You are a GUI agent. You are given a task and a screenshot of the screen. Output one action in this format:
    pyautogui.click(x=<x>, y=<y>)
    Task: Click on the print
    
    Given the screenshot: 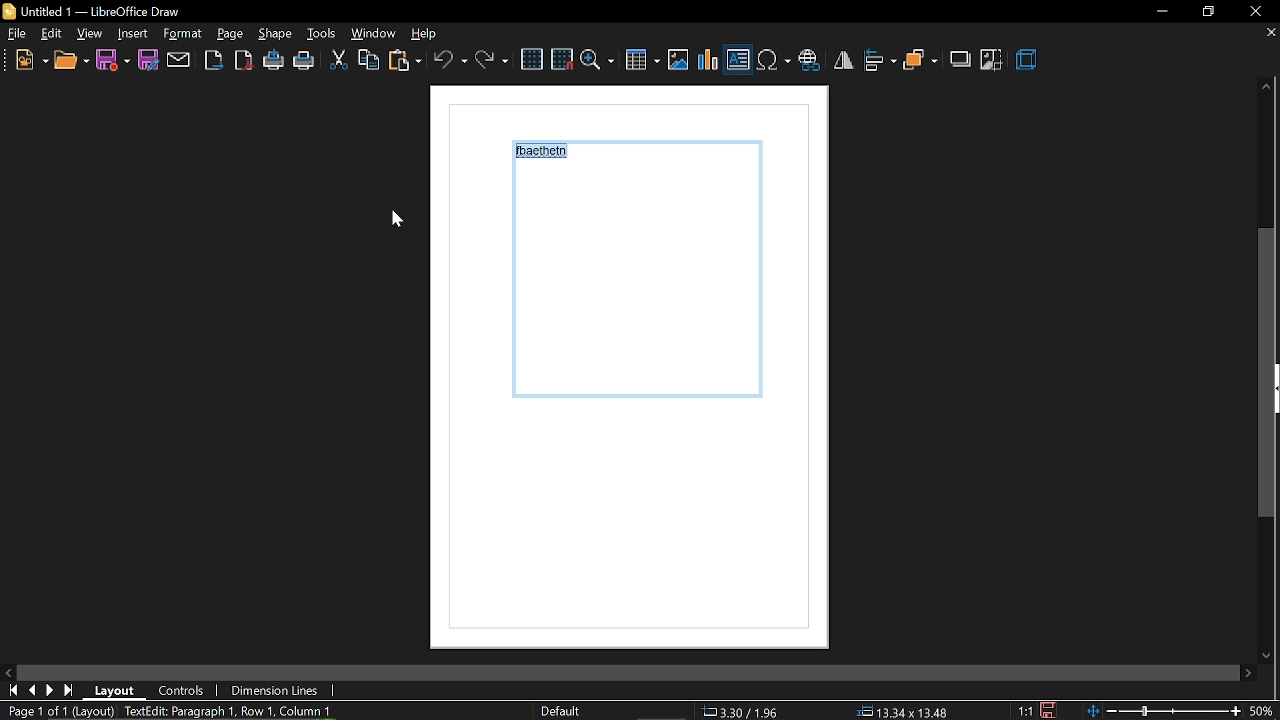 What is the action you would take?
    pyautogui.click(x=304, y=63)
    